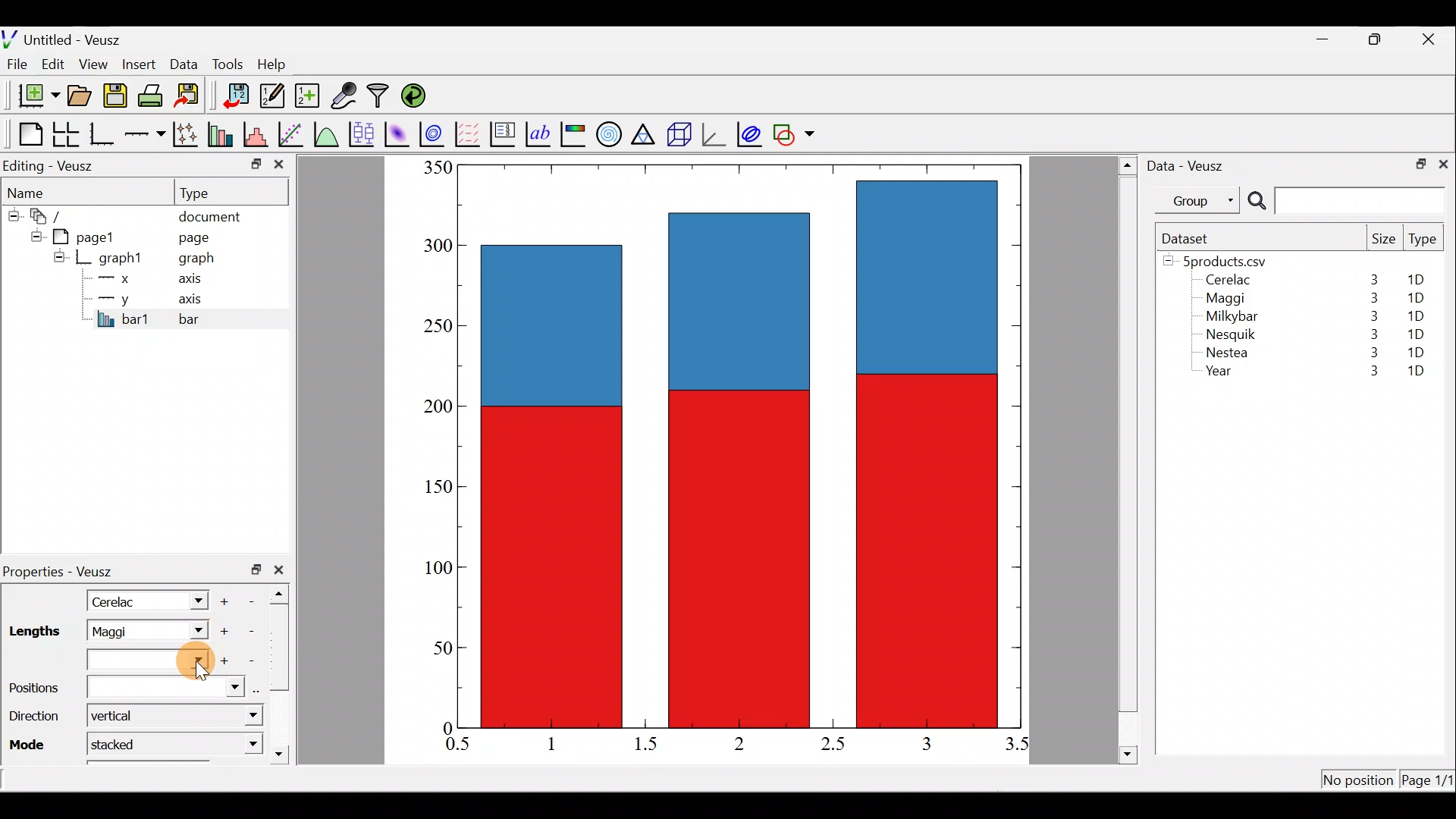 Image resolution: width=1456 pixels, height=819 pixels. Describe the element at coordinates (736, 742) in the screenshot. I see `2` at that location.